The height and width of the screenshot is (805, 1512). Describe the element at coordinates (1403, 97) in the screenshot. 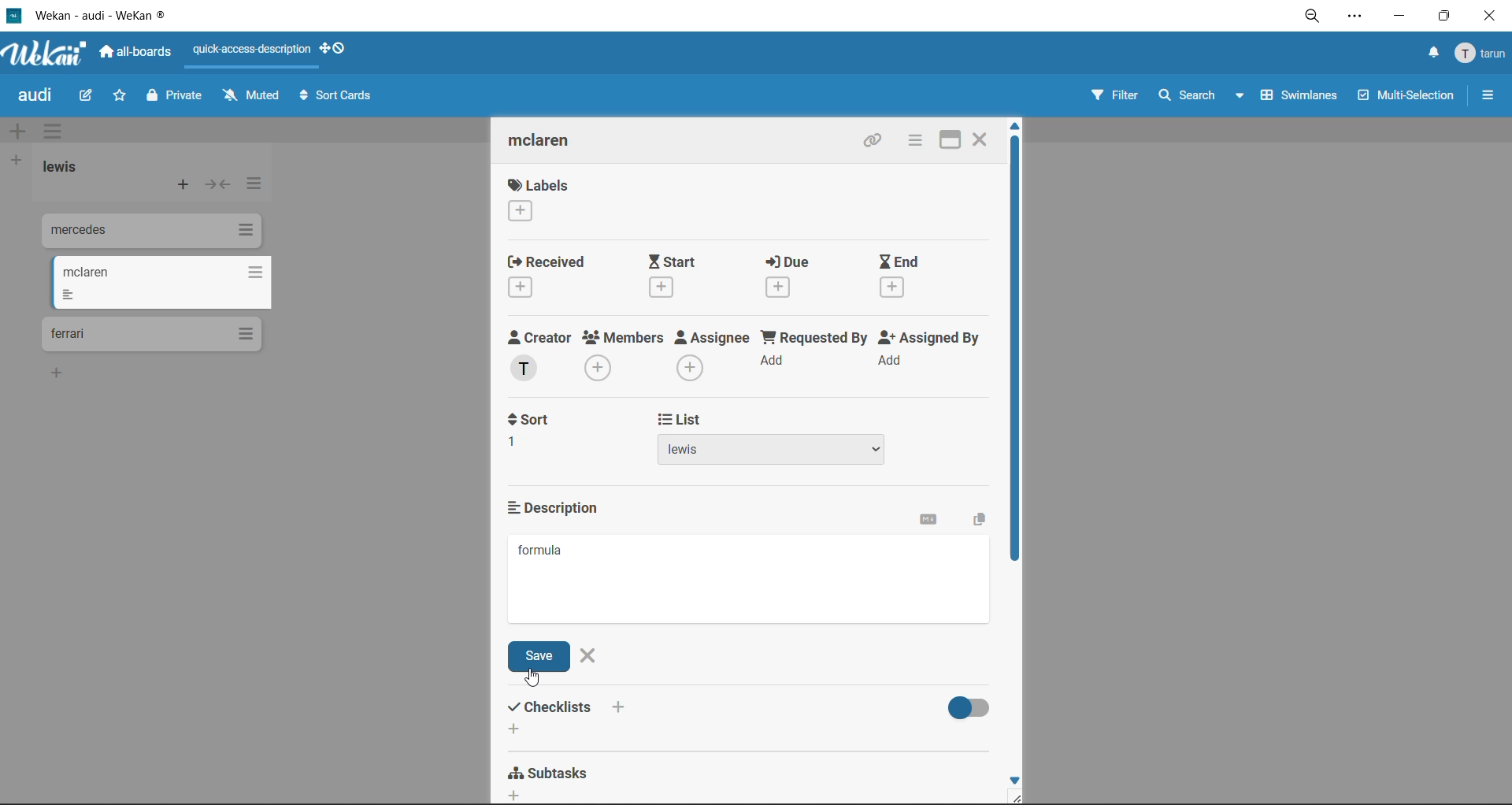

I see `multiselection` at that location.